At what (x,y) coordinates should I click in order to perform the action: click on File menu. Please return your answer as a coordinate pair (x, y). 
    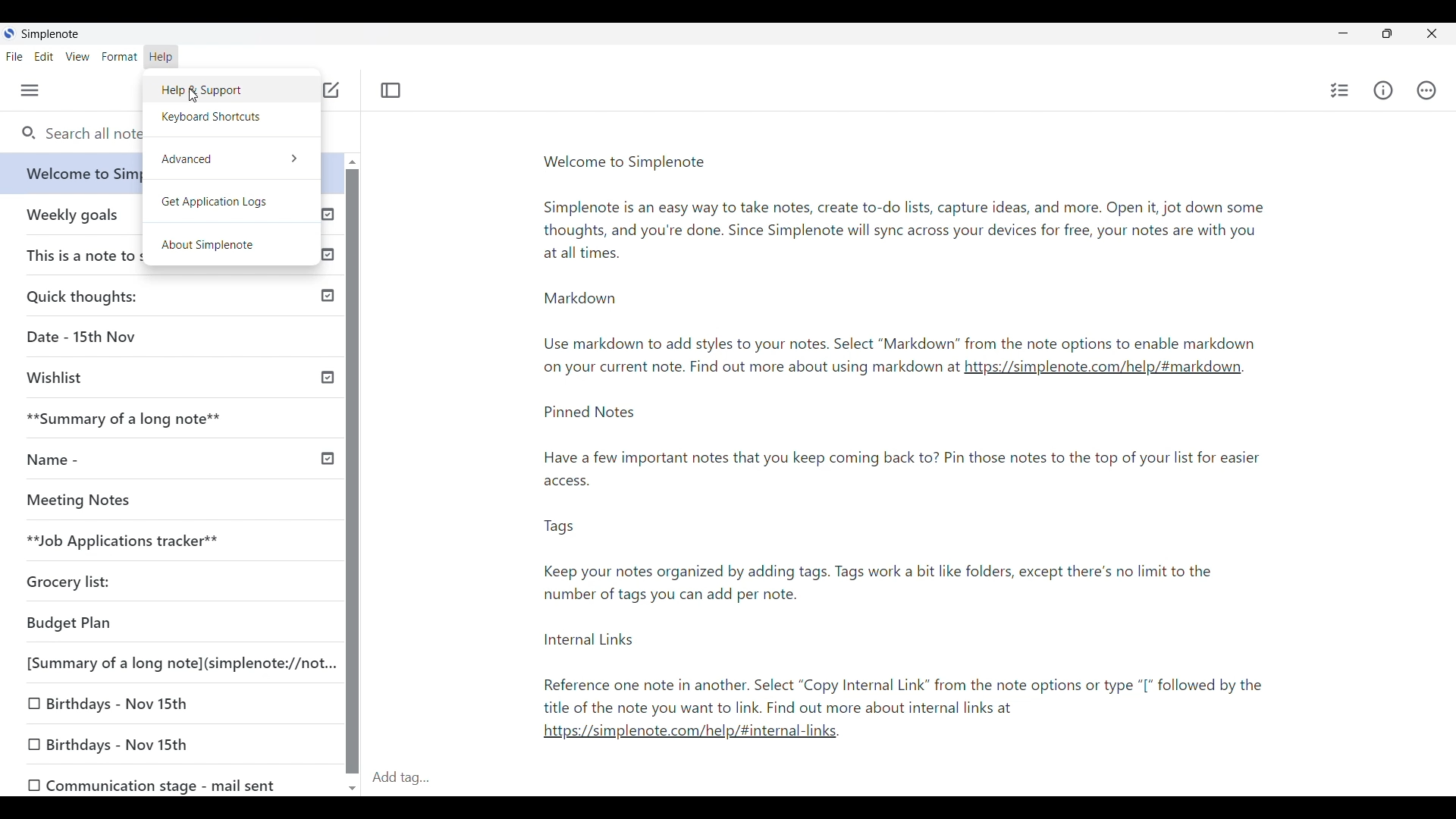
    Looking at the image, I should click on (14, 57).